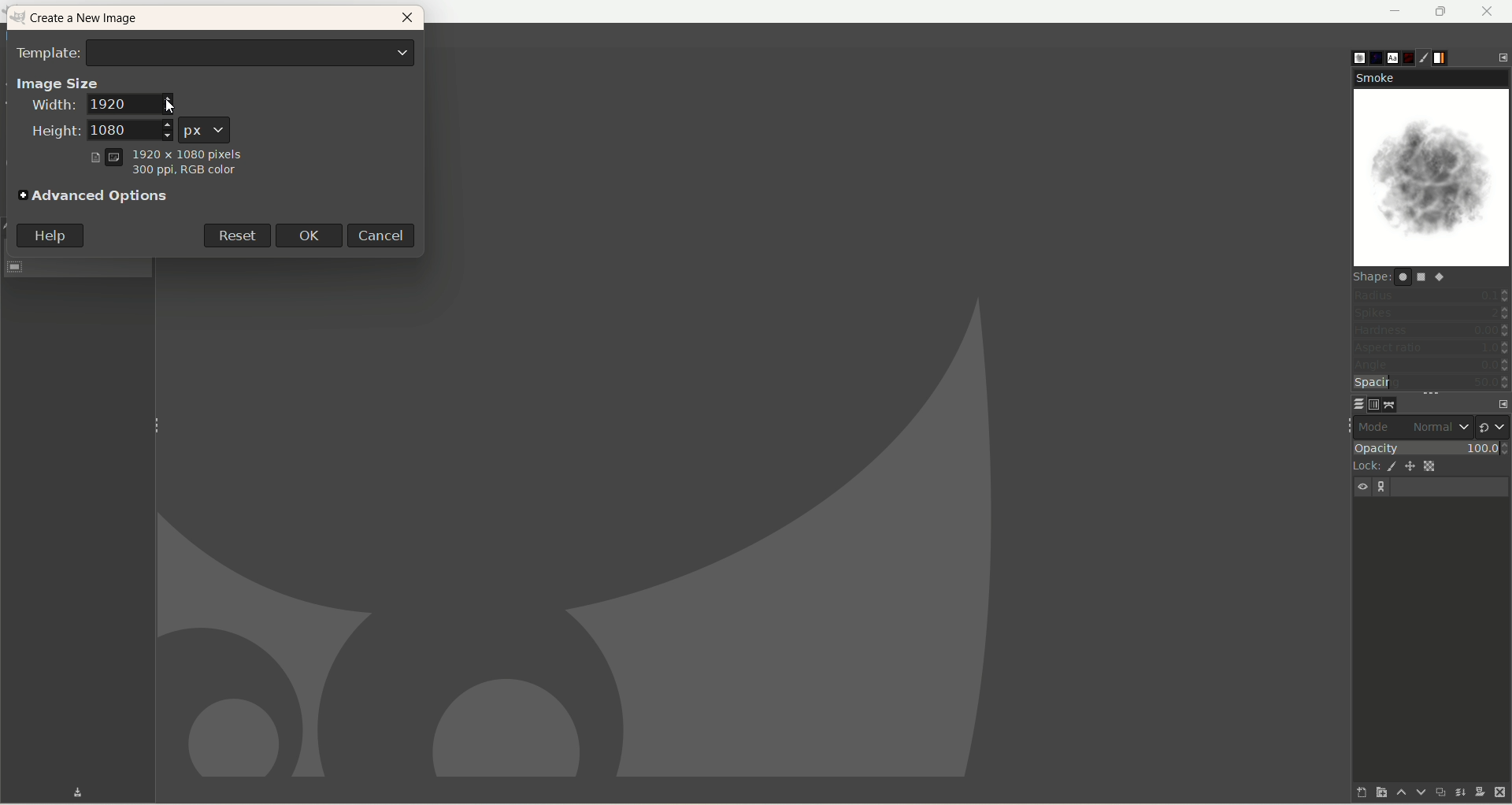  Describe the element at coordinates (1389, 466) in the screenshot. I see `lock pixels` at that location.